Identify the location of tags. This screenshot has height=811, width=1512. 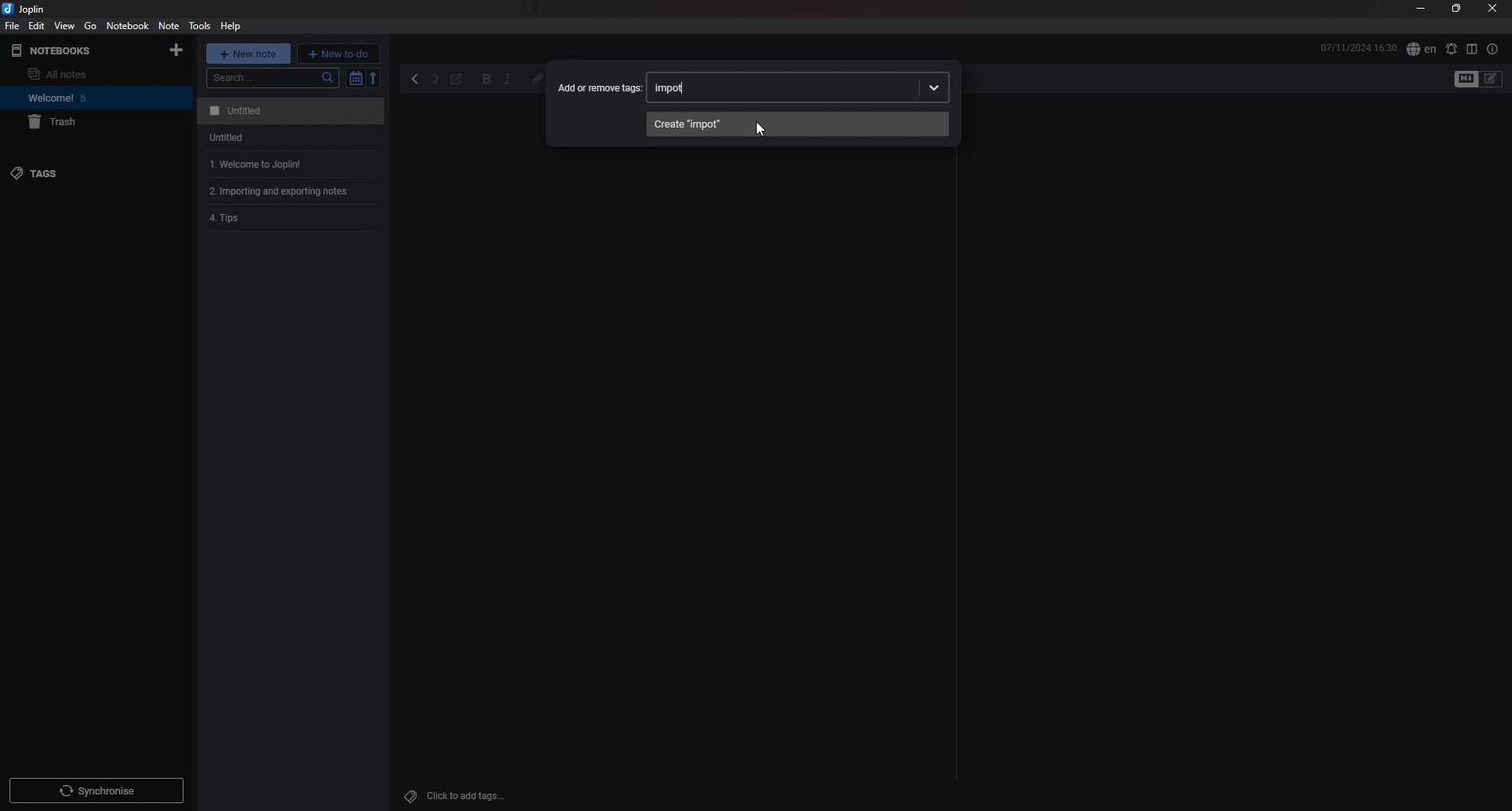
(76, 172).